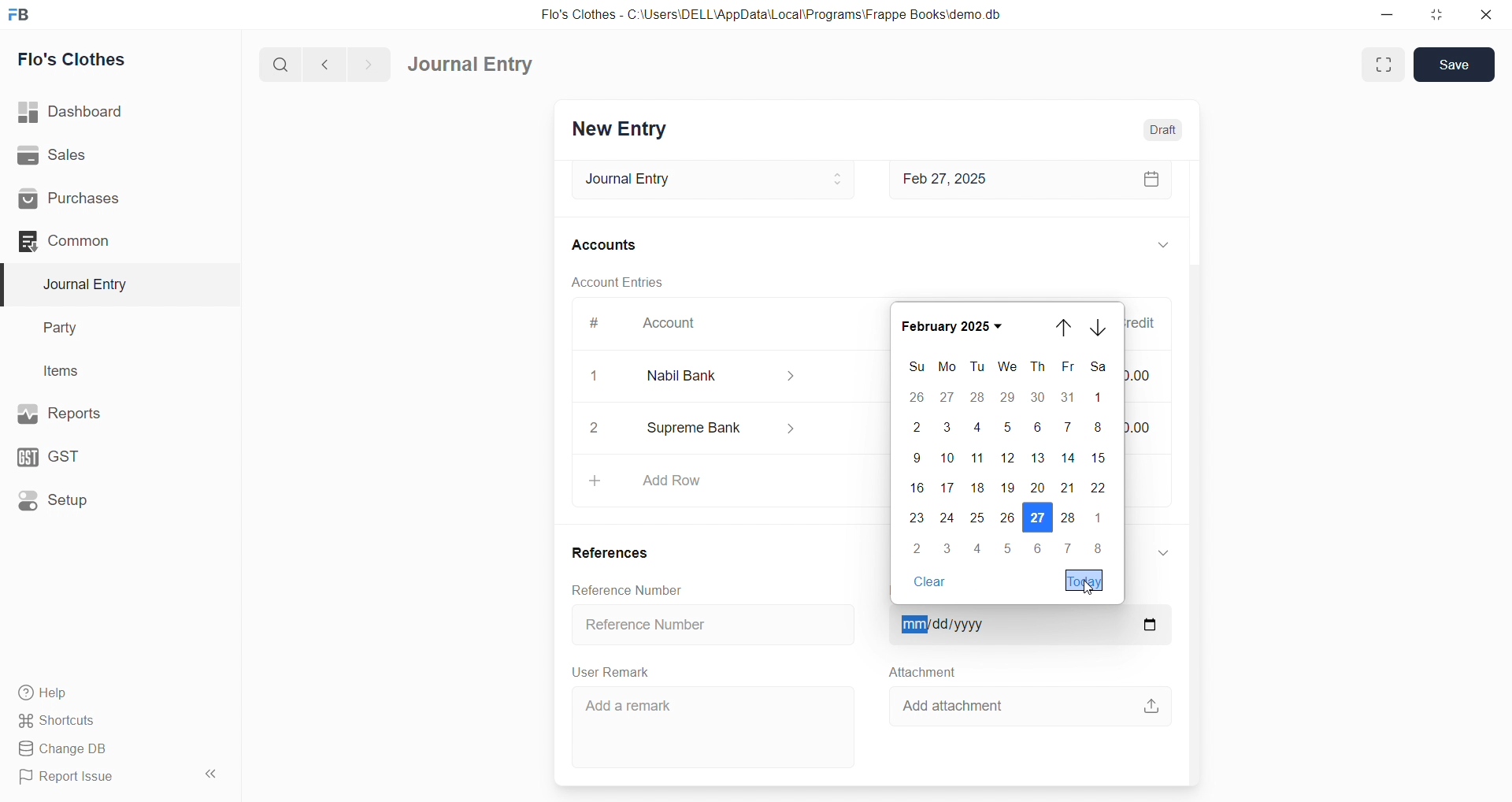  What do you see at coordinates (1006, 490) in the screenshot?
I see `19` at bounding box center [1006, 490].